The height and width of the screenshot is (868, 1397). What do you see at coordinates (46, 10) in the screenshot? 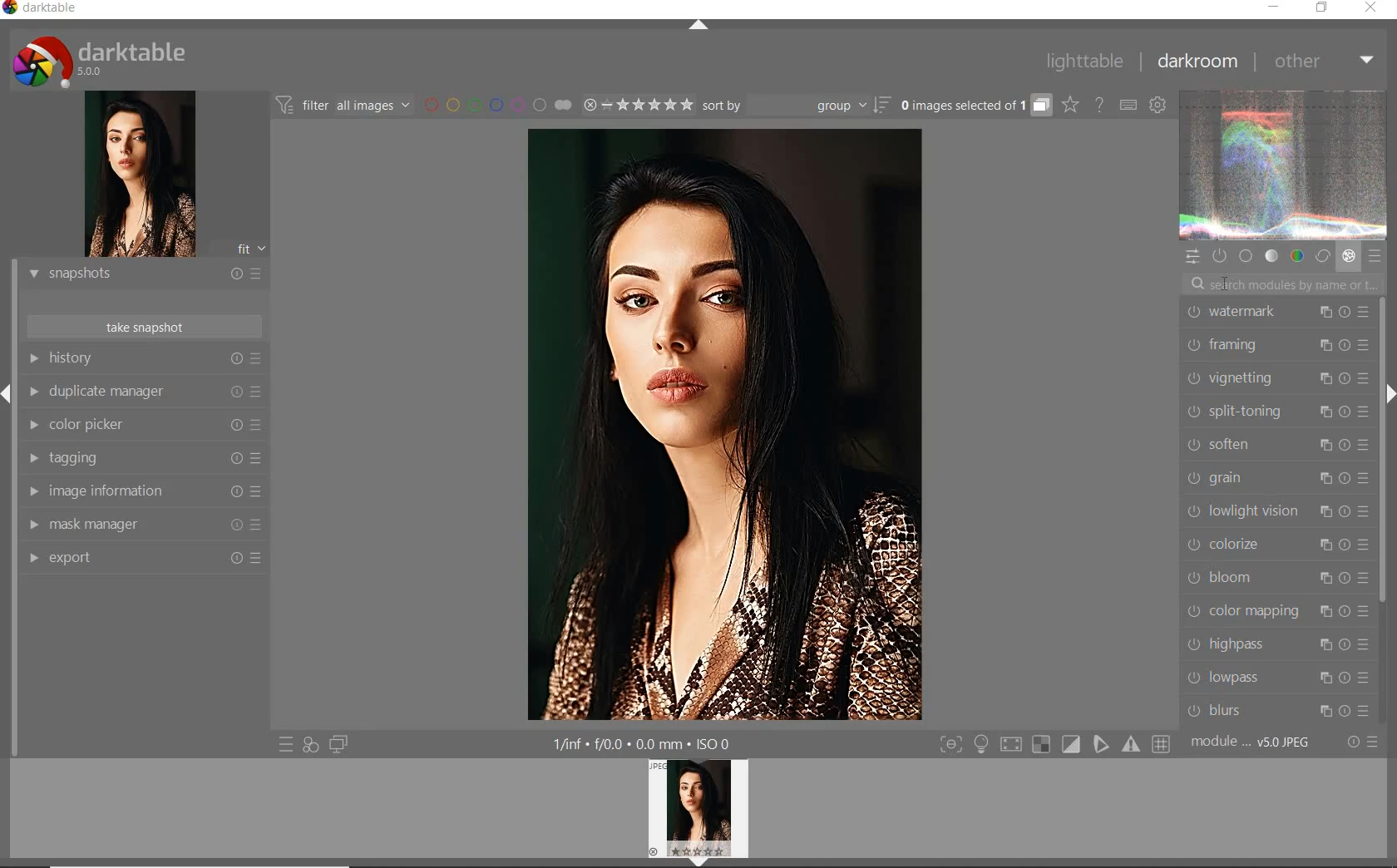
I see `SYSTEM NAME` at bounding box center [46, 10].